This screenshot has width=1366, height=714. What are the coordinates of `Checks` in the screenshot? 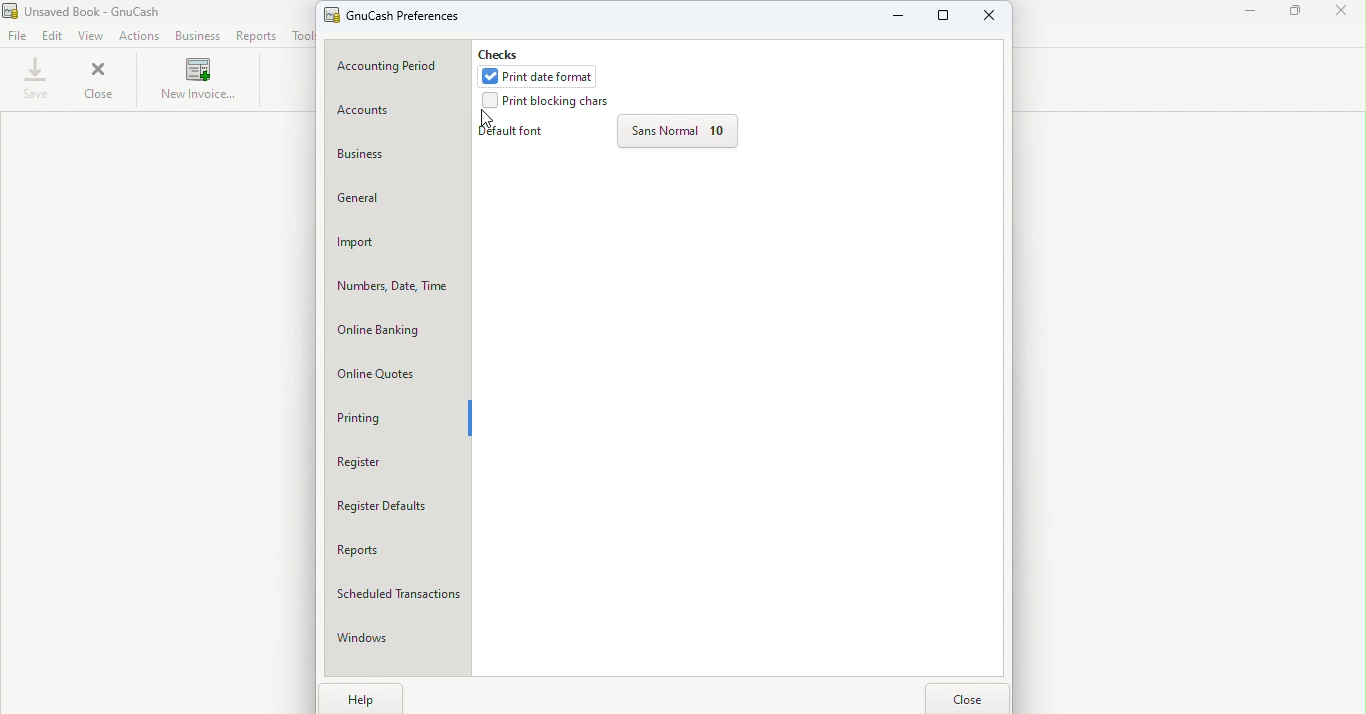 It's located at (511, 52).